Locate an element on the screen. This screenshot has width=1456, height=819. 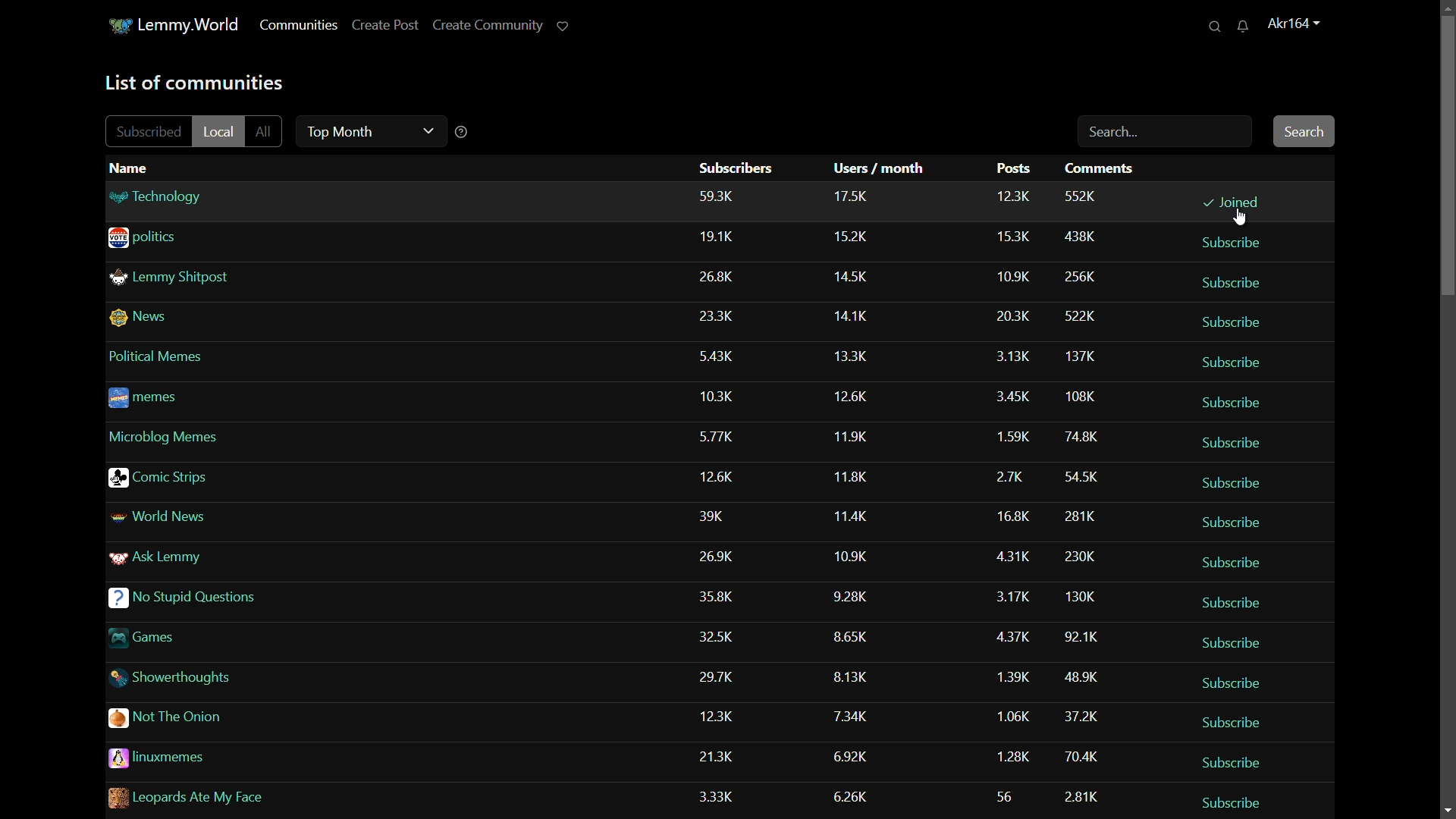
create community is located at coordinates (485, 24).